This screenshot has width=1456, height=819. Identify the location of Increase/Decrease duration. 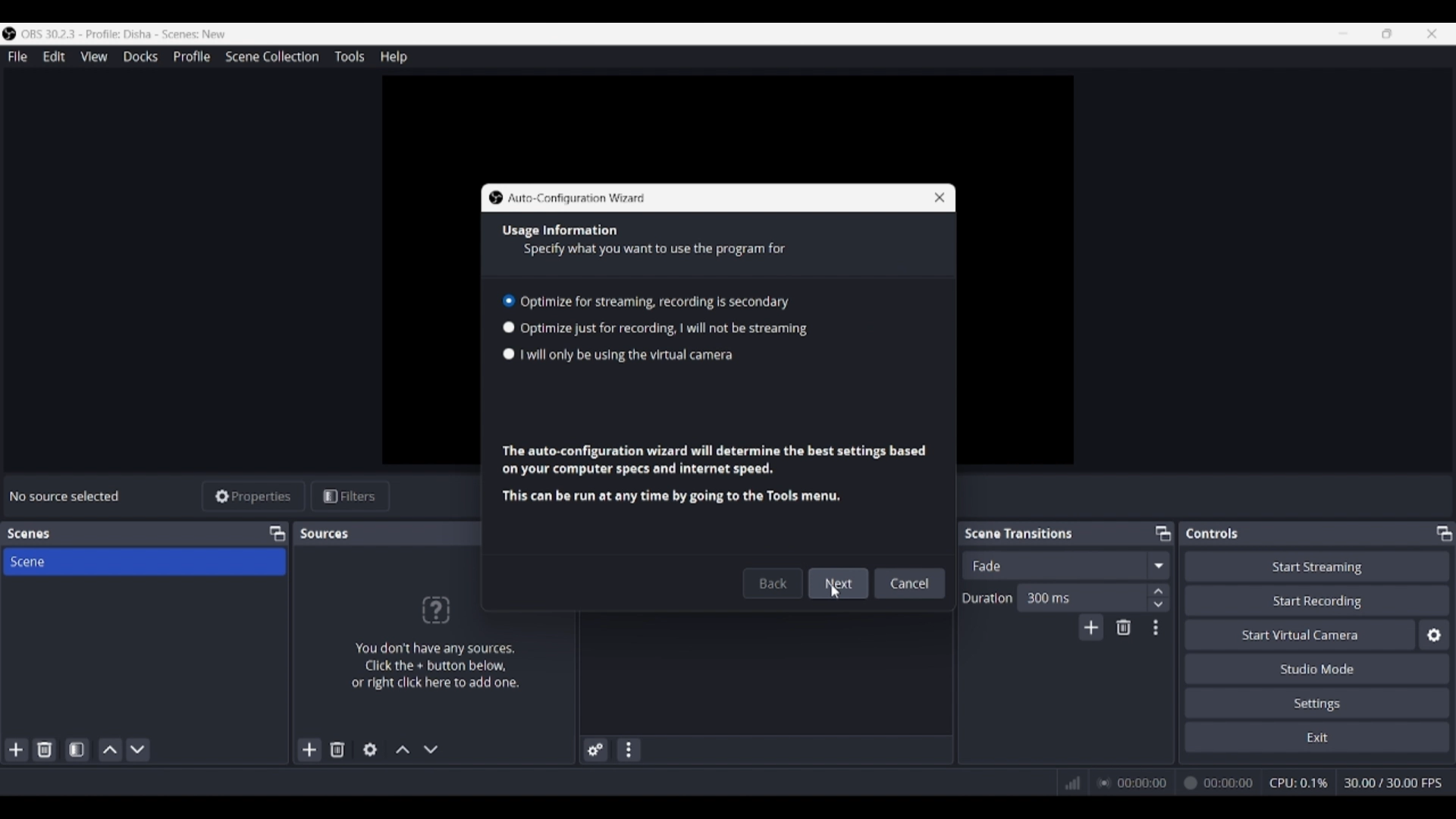
(1159, 597).